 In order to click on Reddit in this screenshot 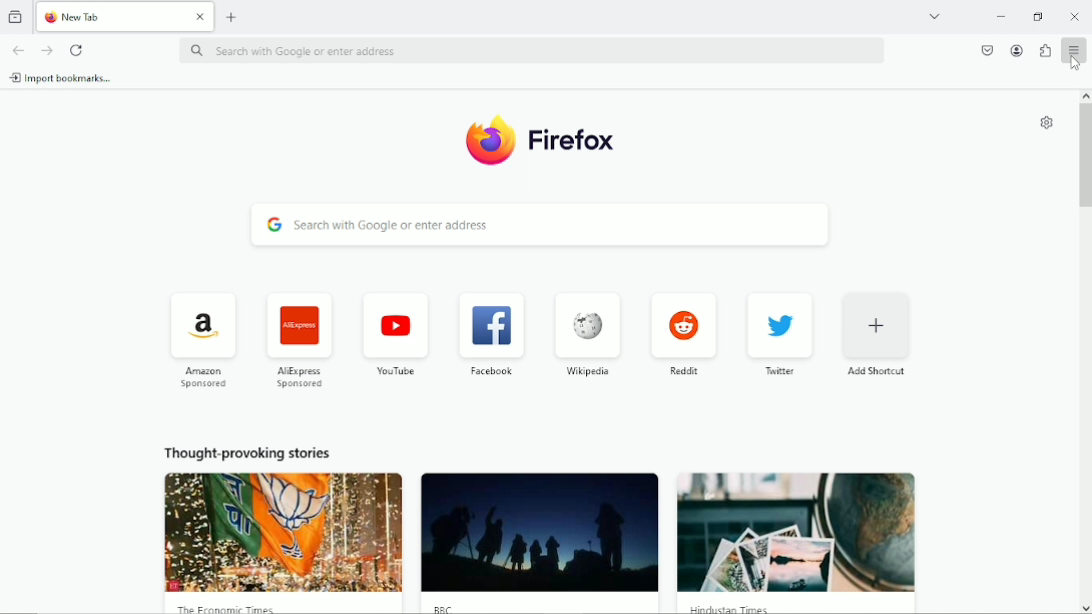, I will do `click(683, 330)`.